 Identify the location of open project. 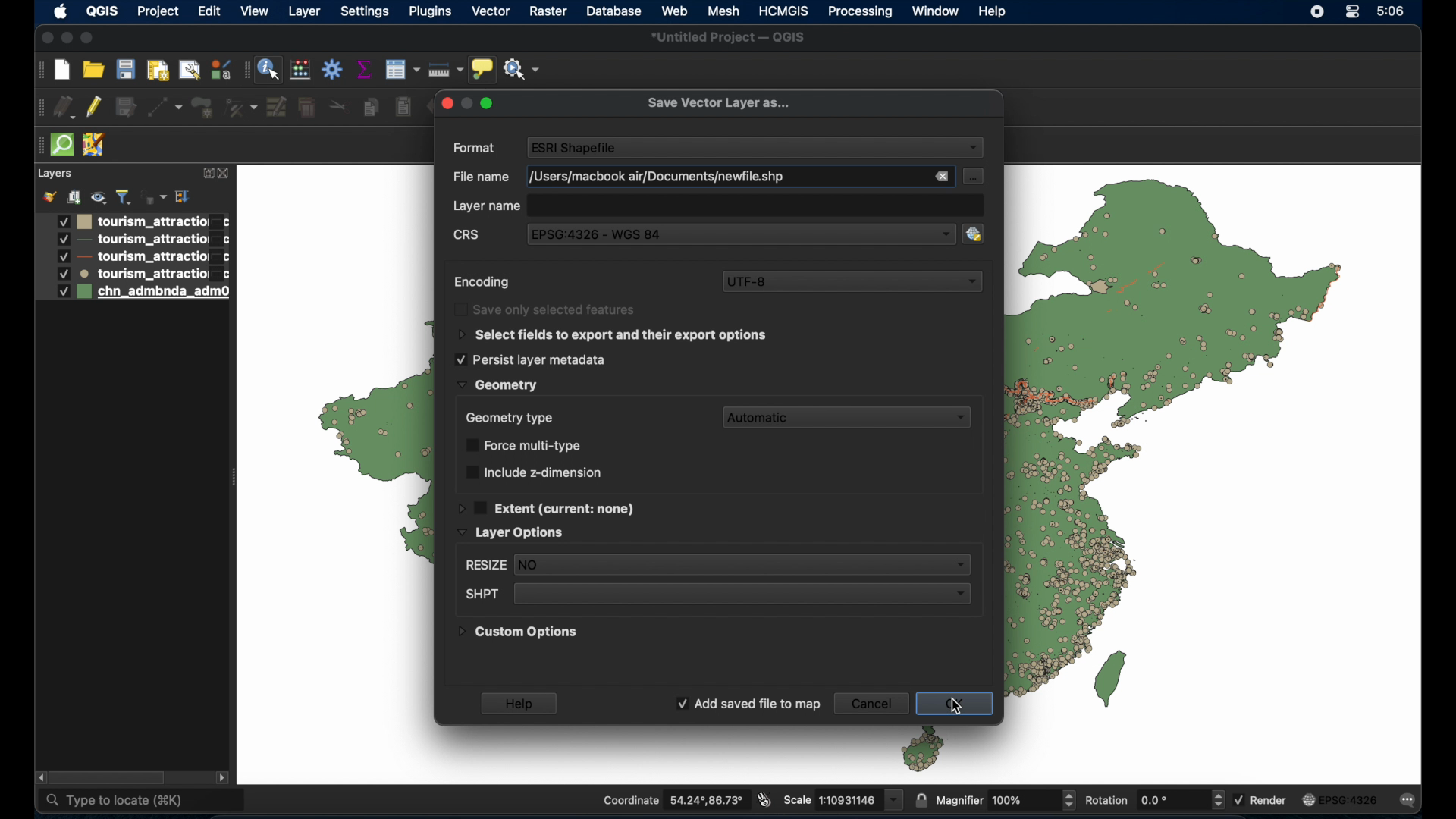
(93, 68).